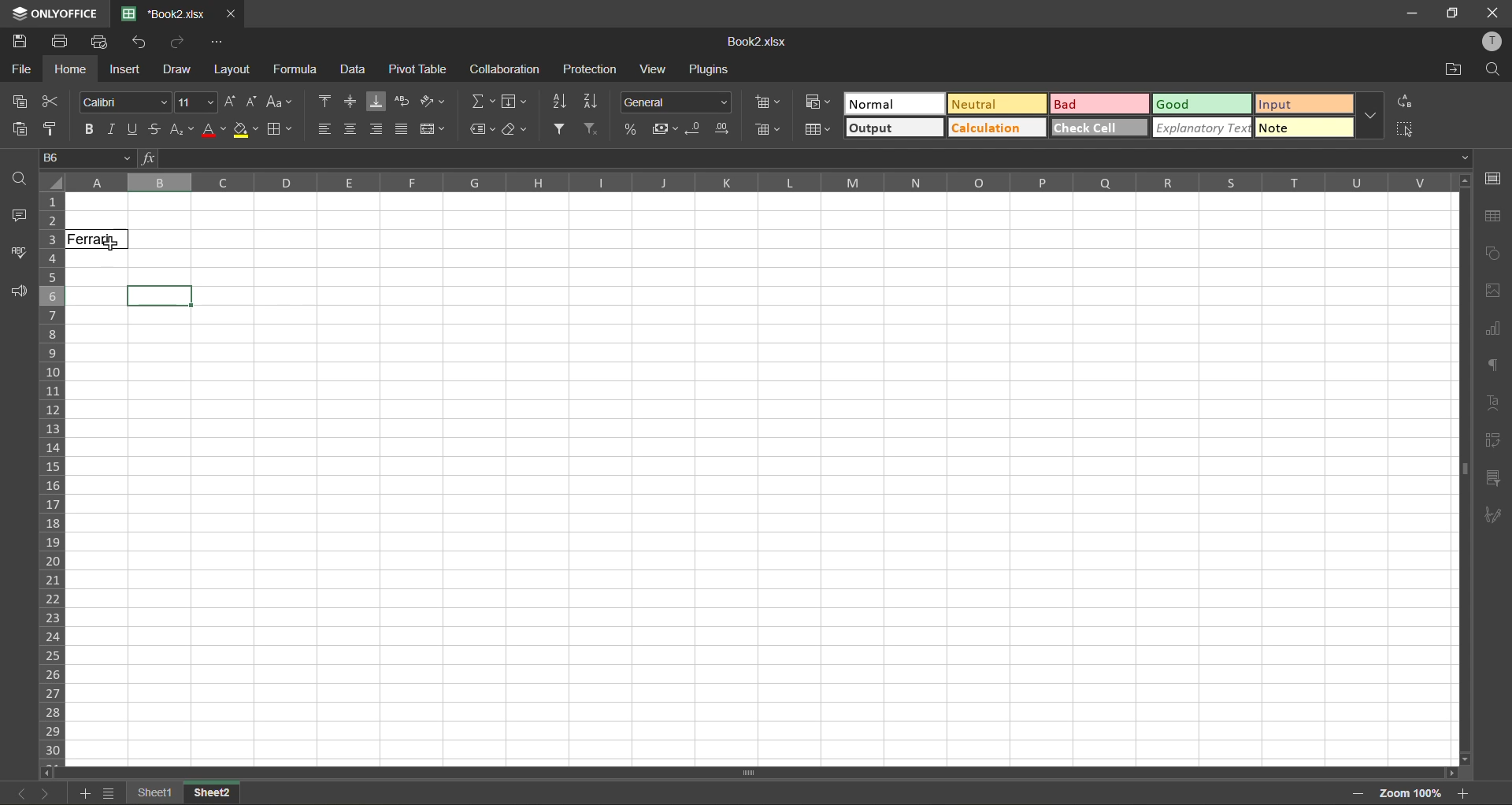  What do you see at coordinates (86, 157) in the screenshot?
I see `cell address` at bounding box center [86, 157].